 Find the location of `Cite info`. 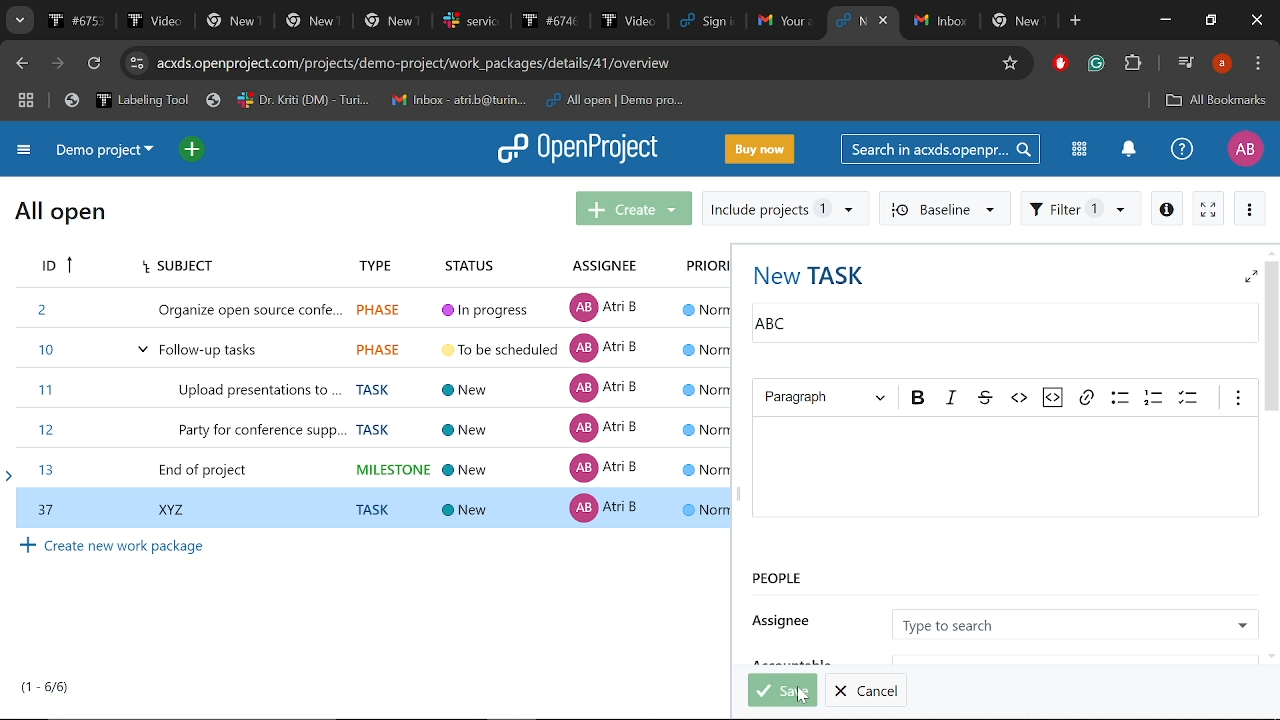

Cite info is located at coordinates (137, 63).